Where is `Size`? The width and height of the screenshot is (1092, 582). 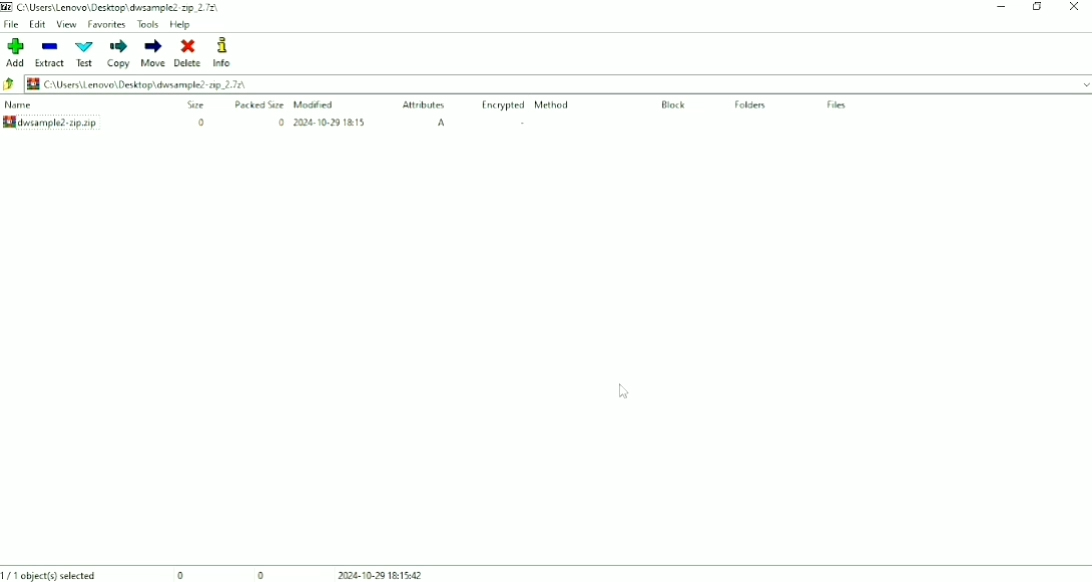 Size is located at coordinates (195, 105).